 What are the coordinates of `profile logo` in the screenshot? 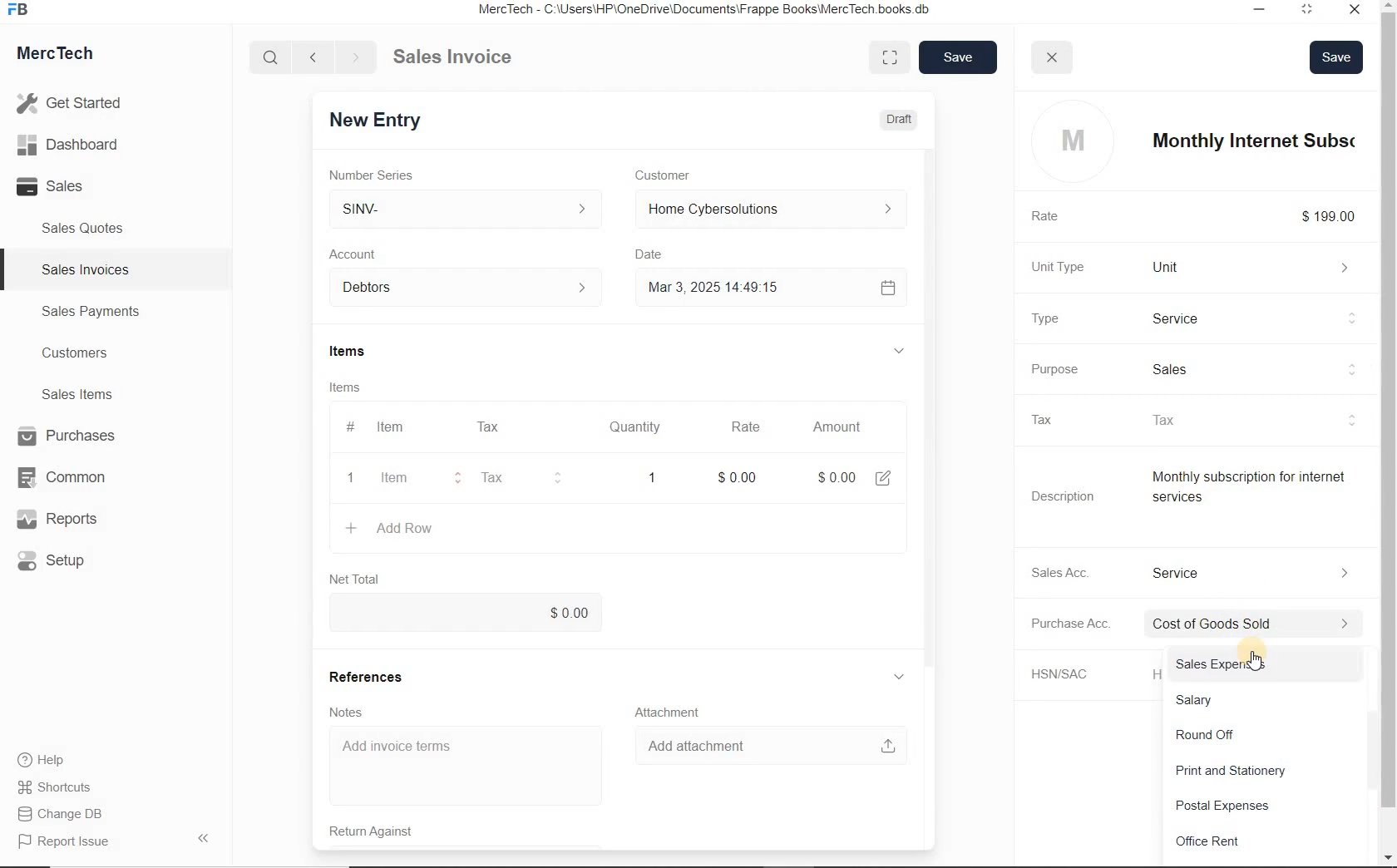 It's located at (1069, 141).